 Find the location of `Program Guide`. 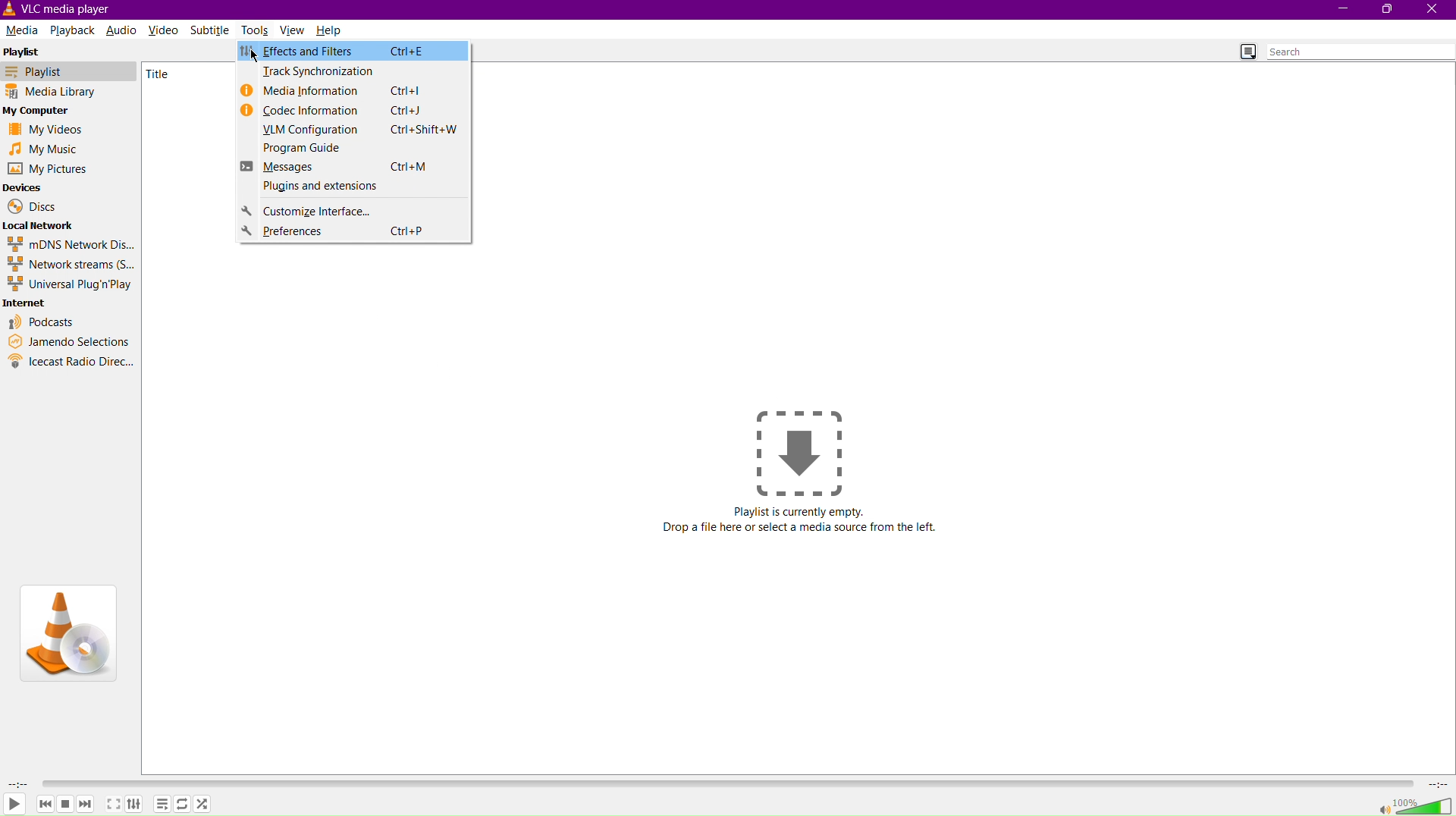

Program Guide is located at coordinates (354, 149).